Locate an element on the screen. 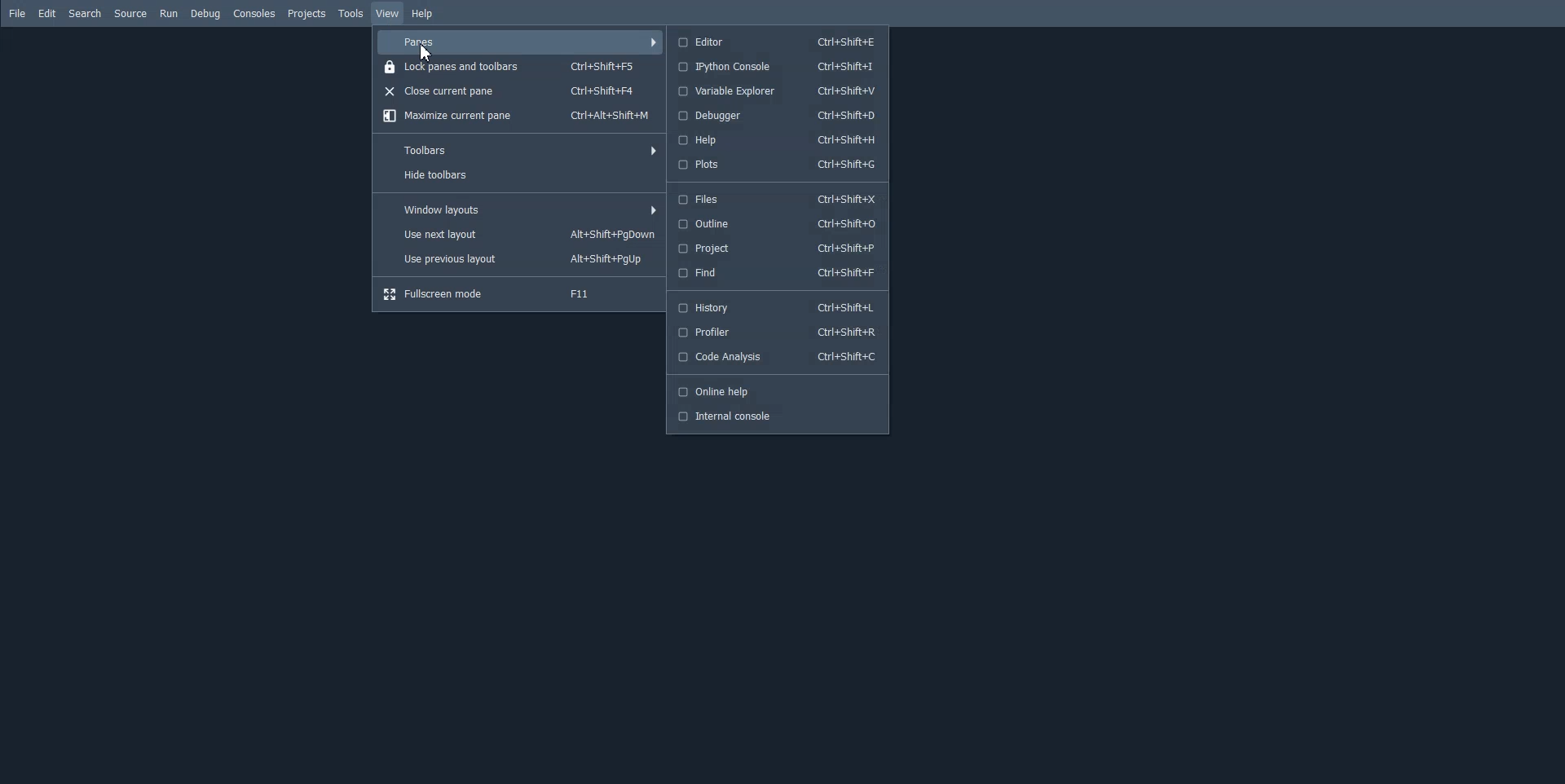 Image resolution: width=1565 pixels, height=784 pixels. cursor on pages is located at coordinates (428, 55).